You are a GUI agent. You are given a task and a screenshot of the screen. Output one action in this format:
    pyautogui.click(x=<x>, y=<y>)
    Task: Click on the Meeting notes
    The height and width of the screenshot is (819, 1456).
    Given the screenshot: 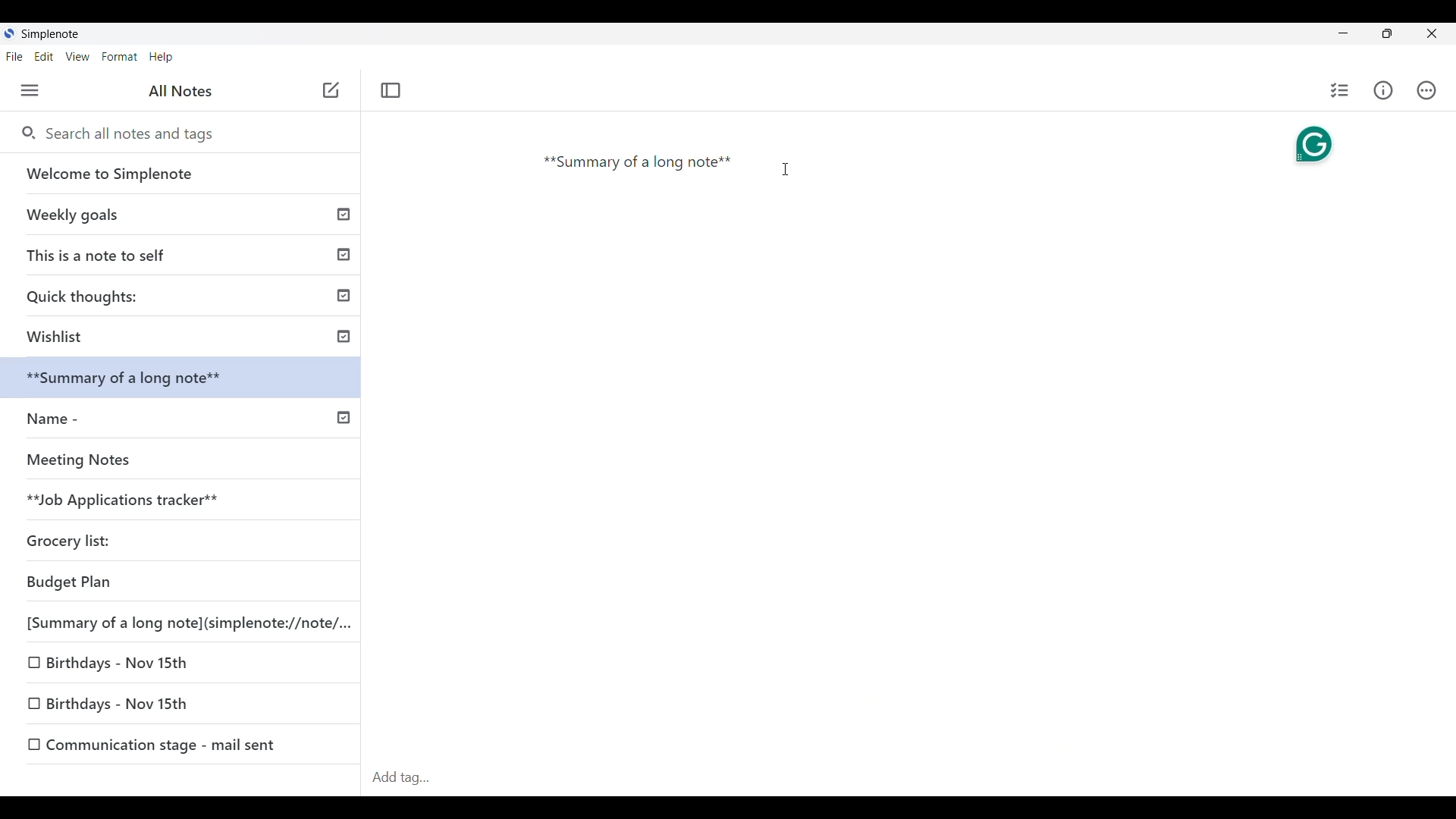 What is the action you would take?
    pyautogui.click(x=154, y=460)
    